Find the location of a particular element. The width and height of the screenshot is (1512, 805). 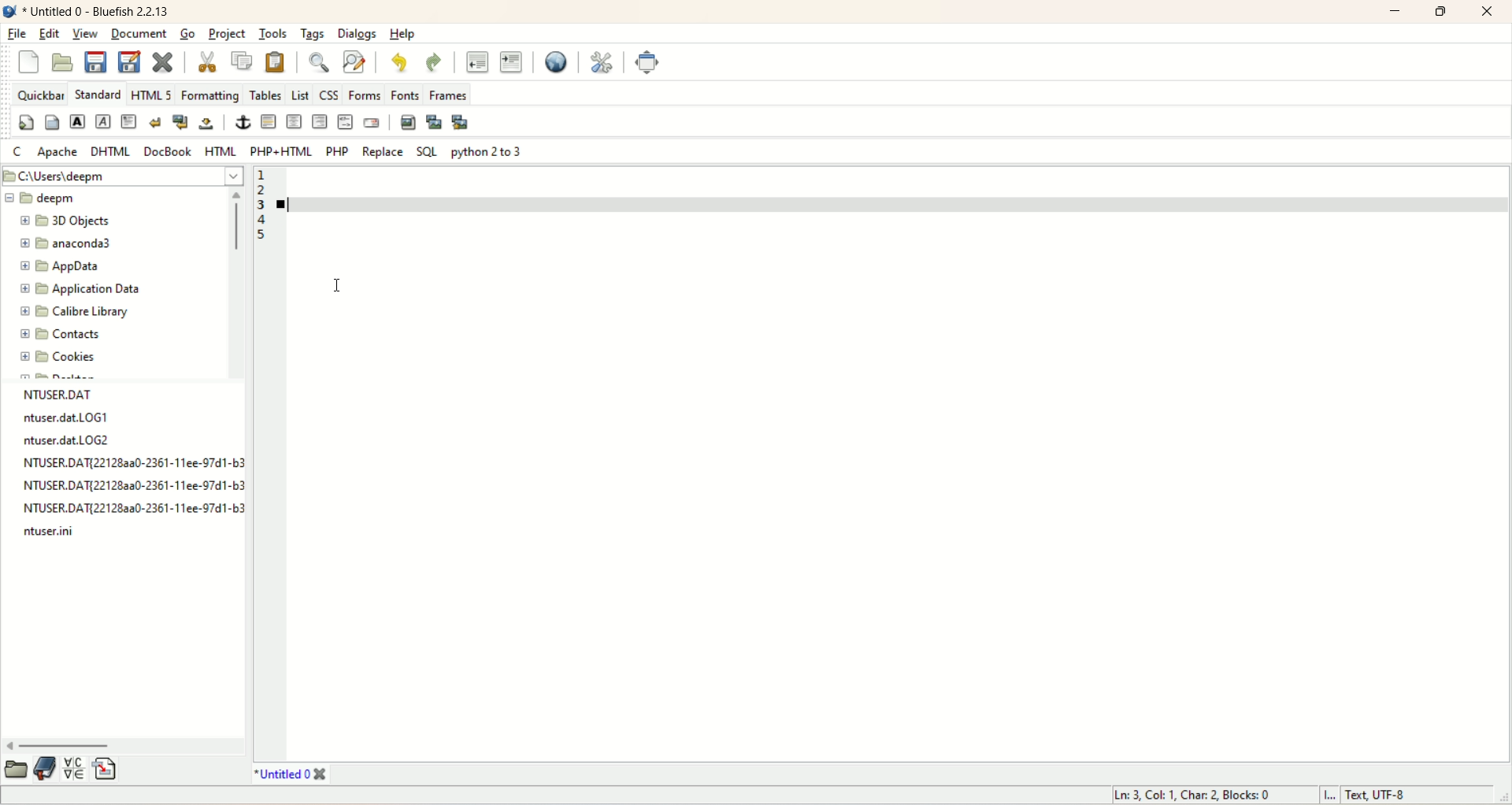

3D OBJECTS is located at coordinates (71, 220).